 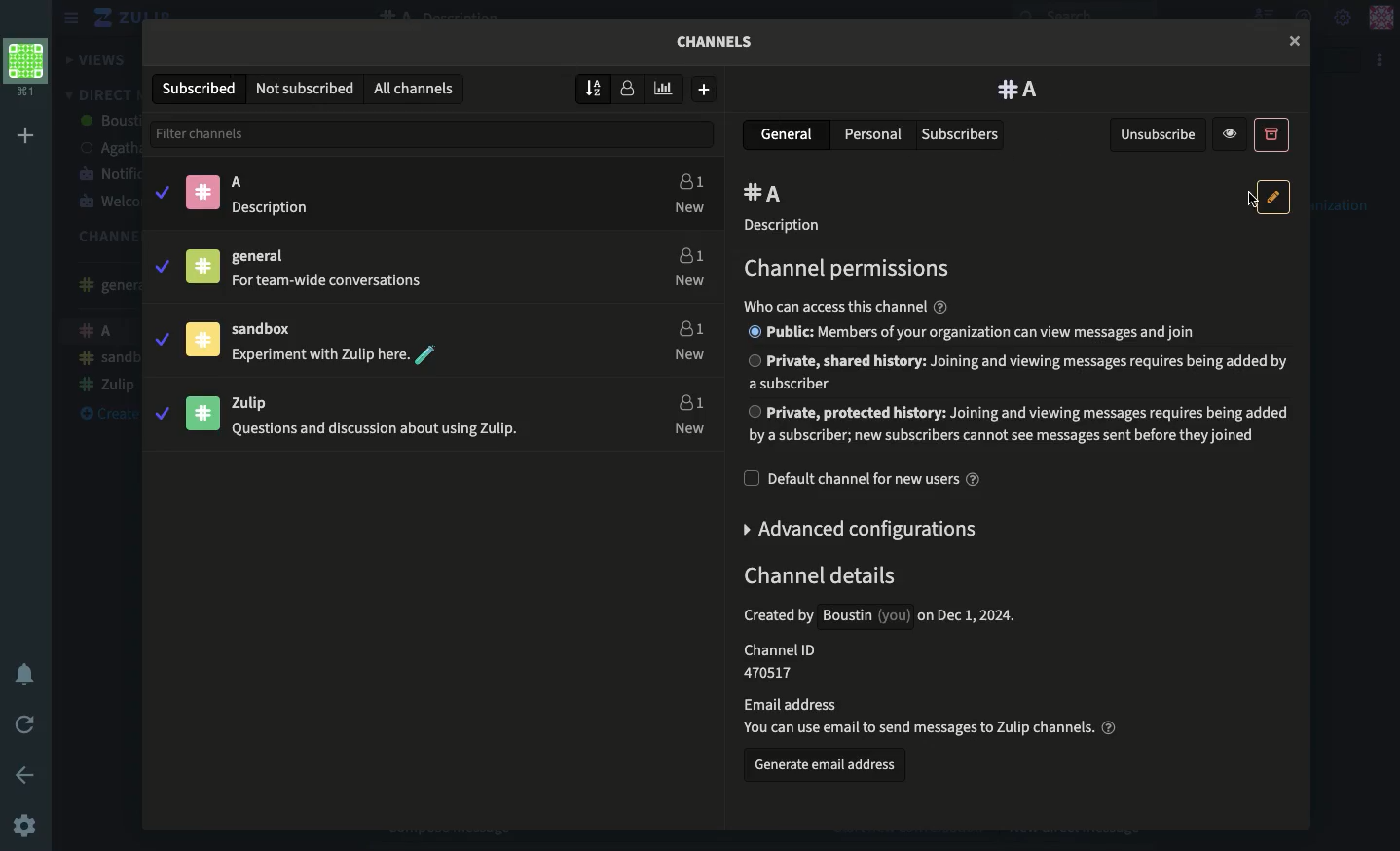 What do you see at coordinates (628, 87) in the screenshot?
I see `Sort by users` at bounding box center [628, 87].